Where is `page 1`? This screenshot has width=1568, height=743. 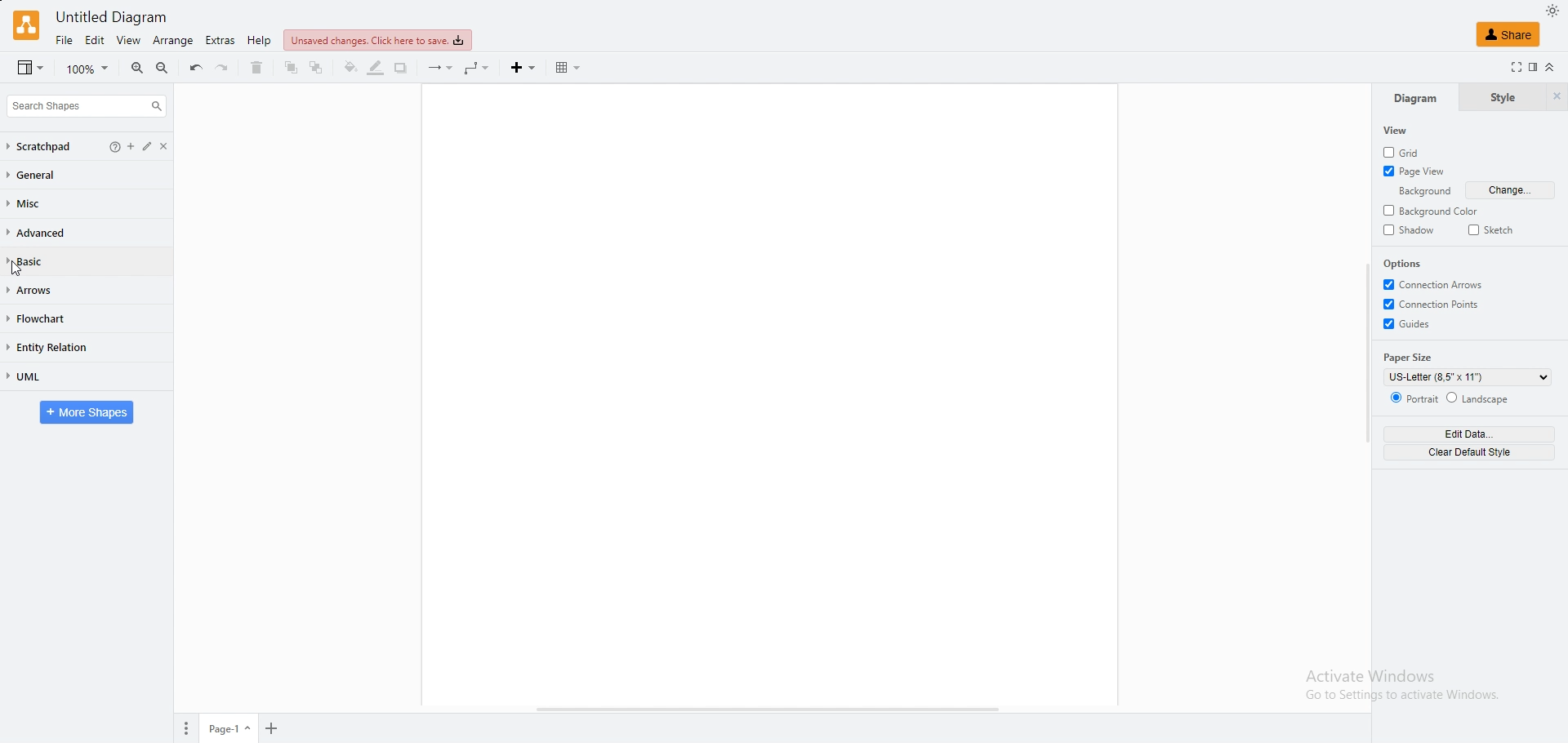
page 1 is located at coordinates (229, 728).